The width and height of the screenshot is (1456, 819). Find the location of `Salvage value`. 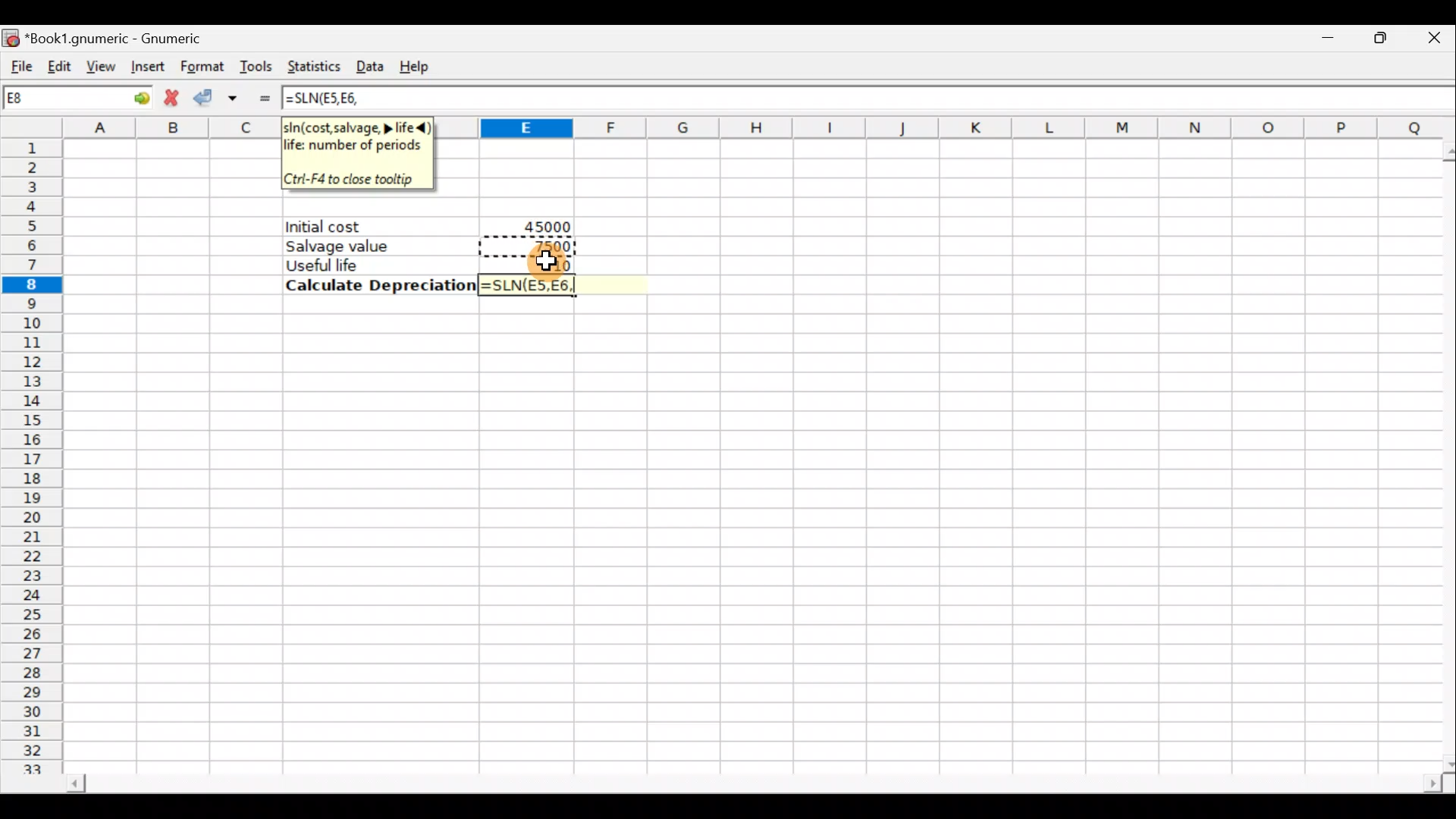

Salvage value is located at coordinates (369, 246).